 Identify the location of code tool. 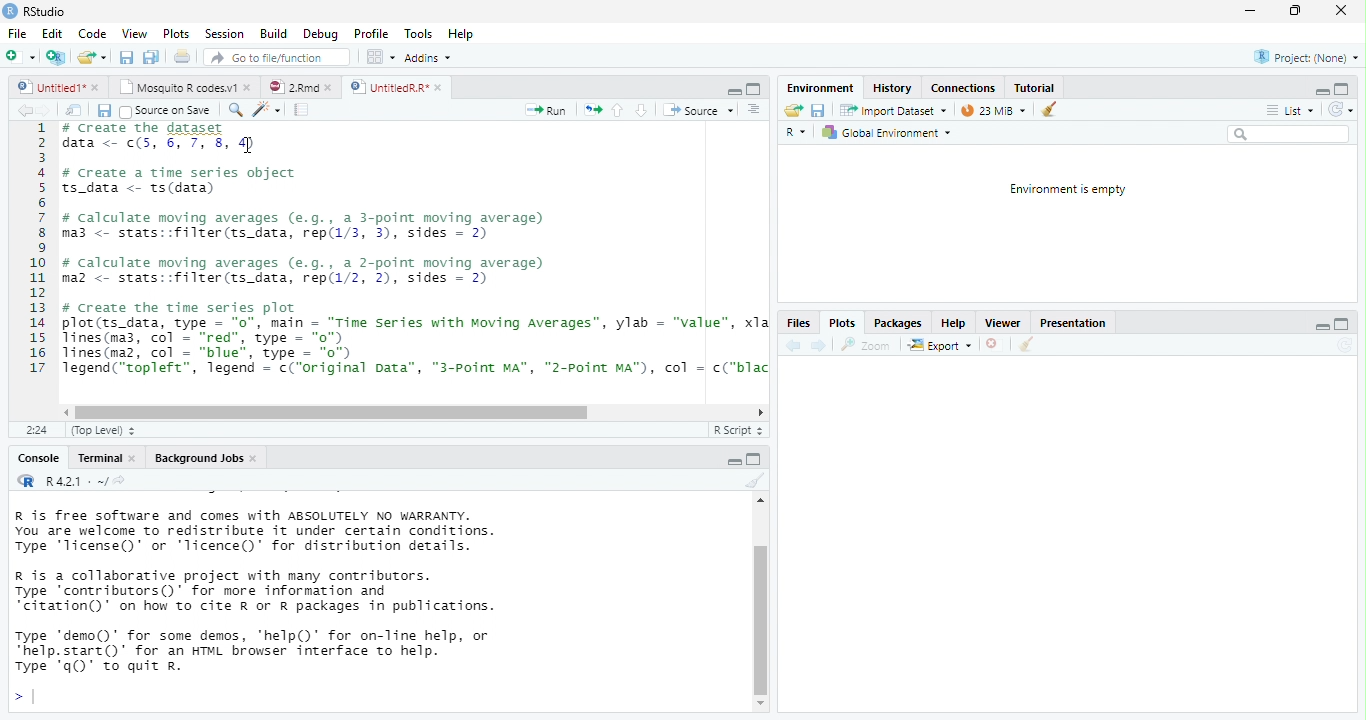
(268, 109).